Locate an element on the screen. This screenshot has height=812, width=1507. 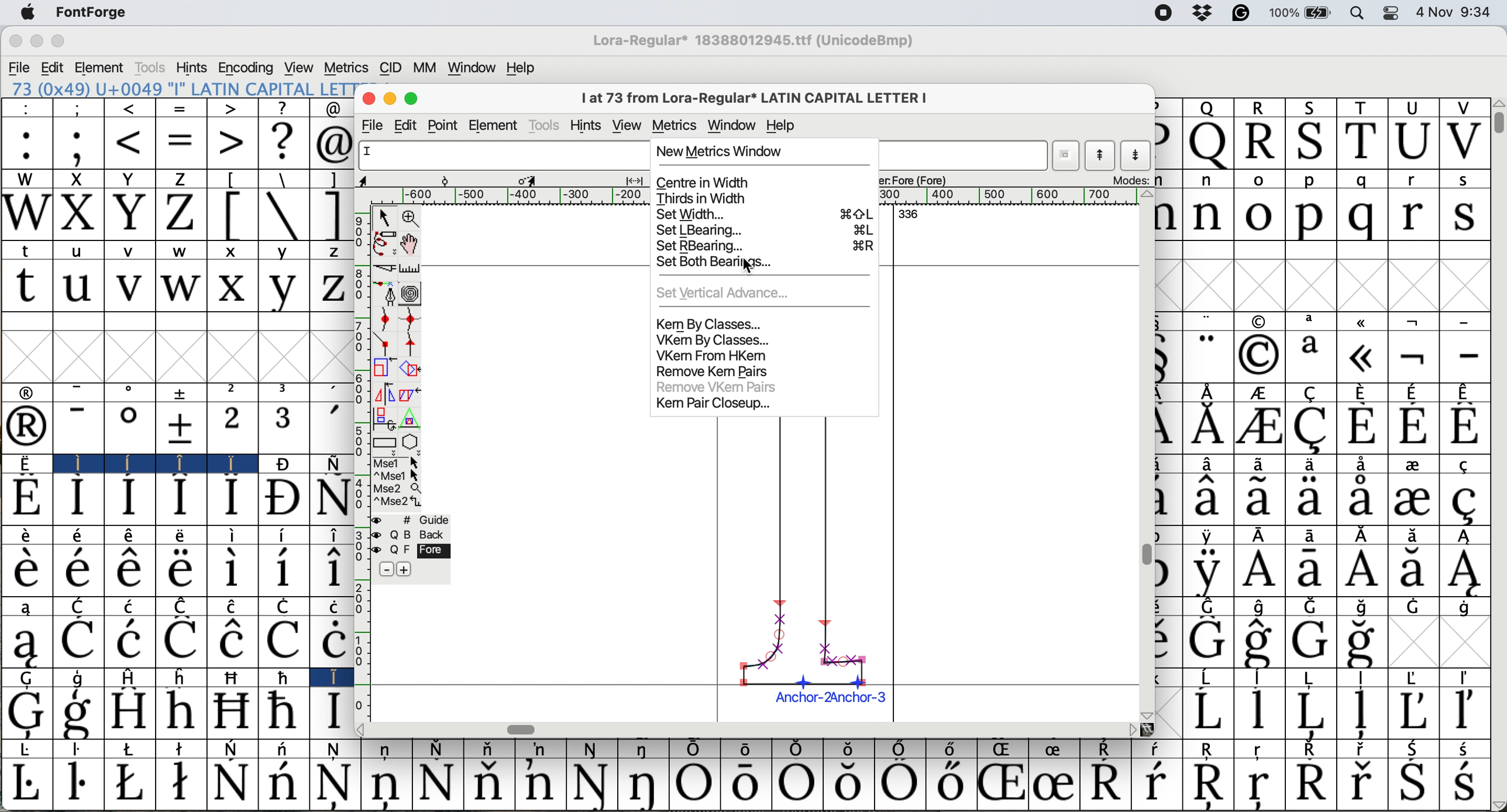
w is located at coordinates (182, 288).